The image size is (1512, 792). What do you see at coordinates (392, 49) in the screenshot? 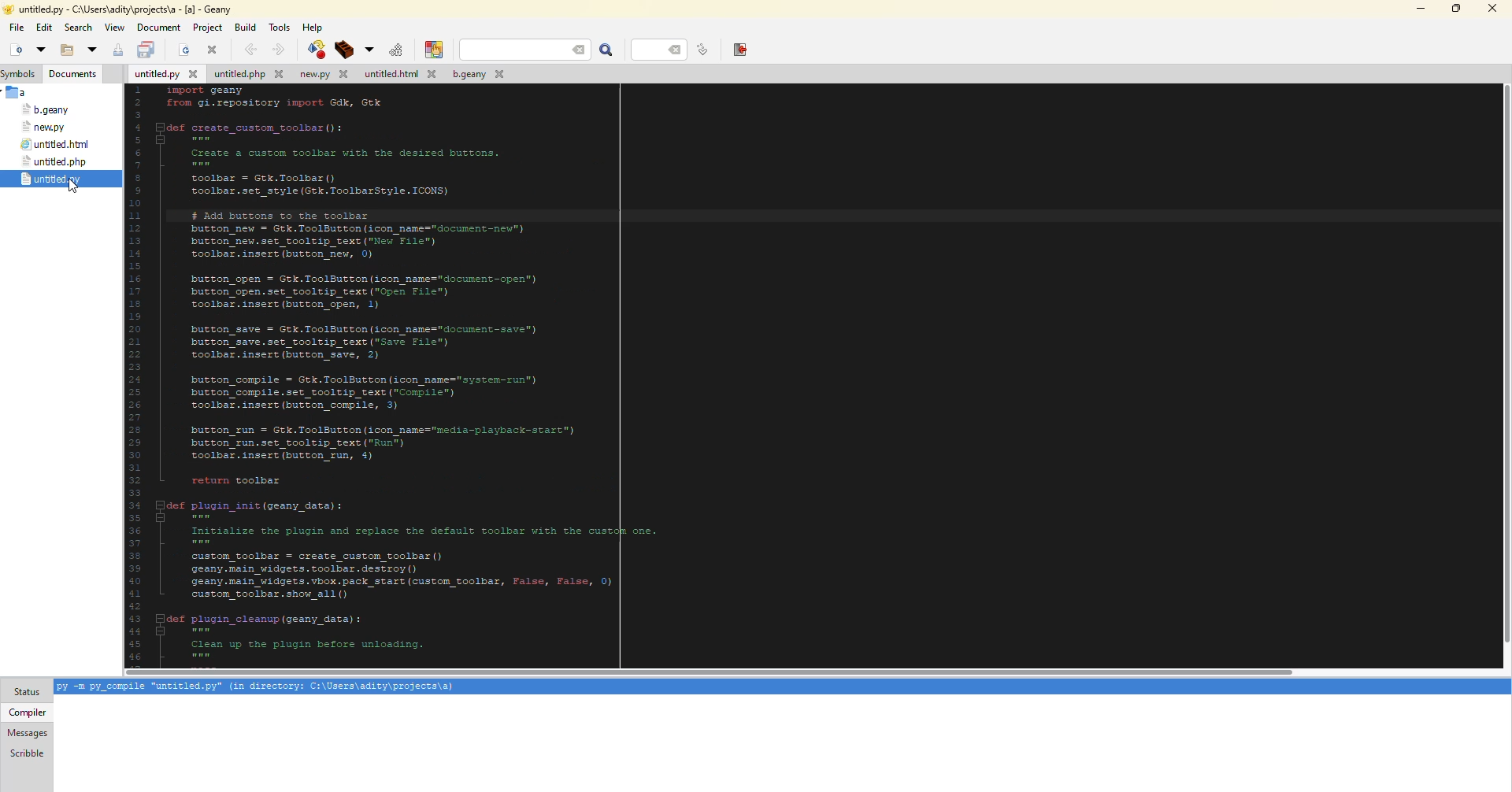
I see `run` at bounding box center [392, 49].